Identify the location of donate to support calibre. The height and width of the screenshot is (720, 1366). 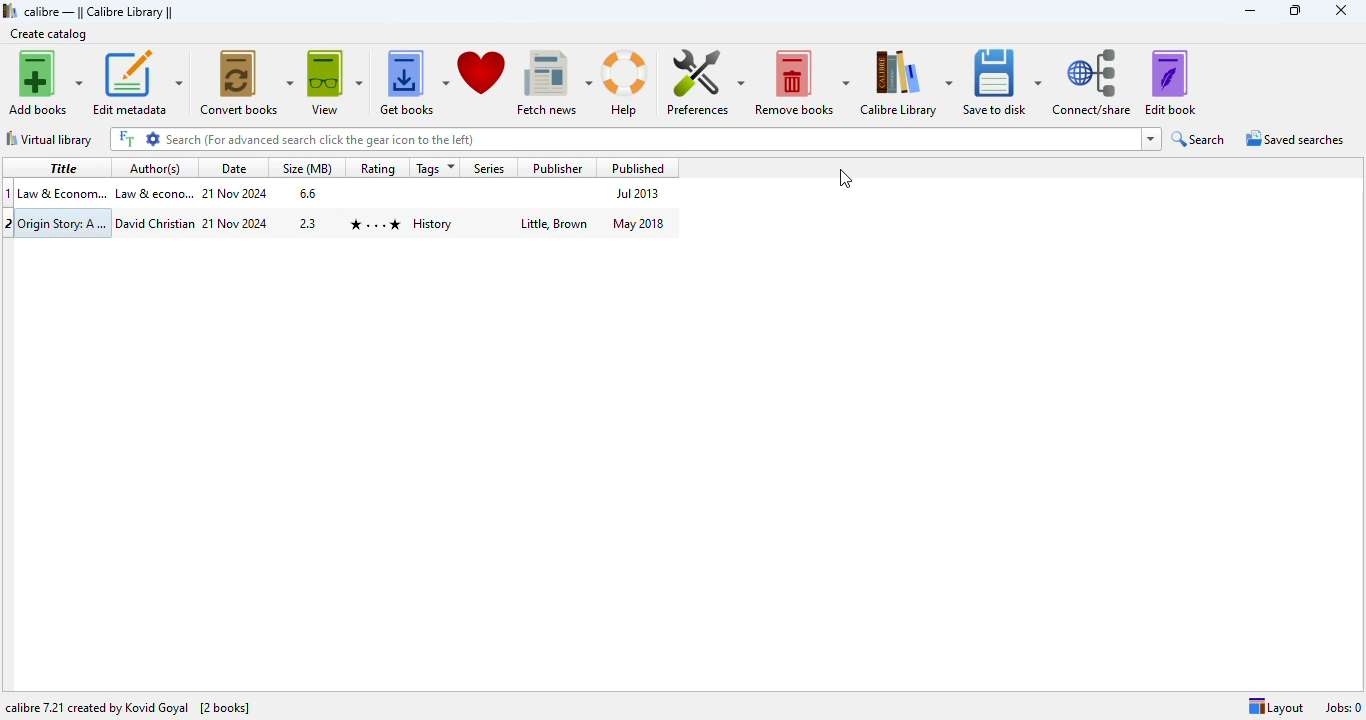
(482, 73).